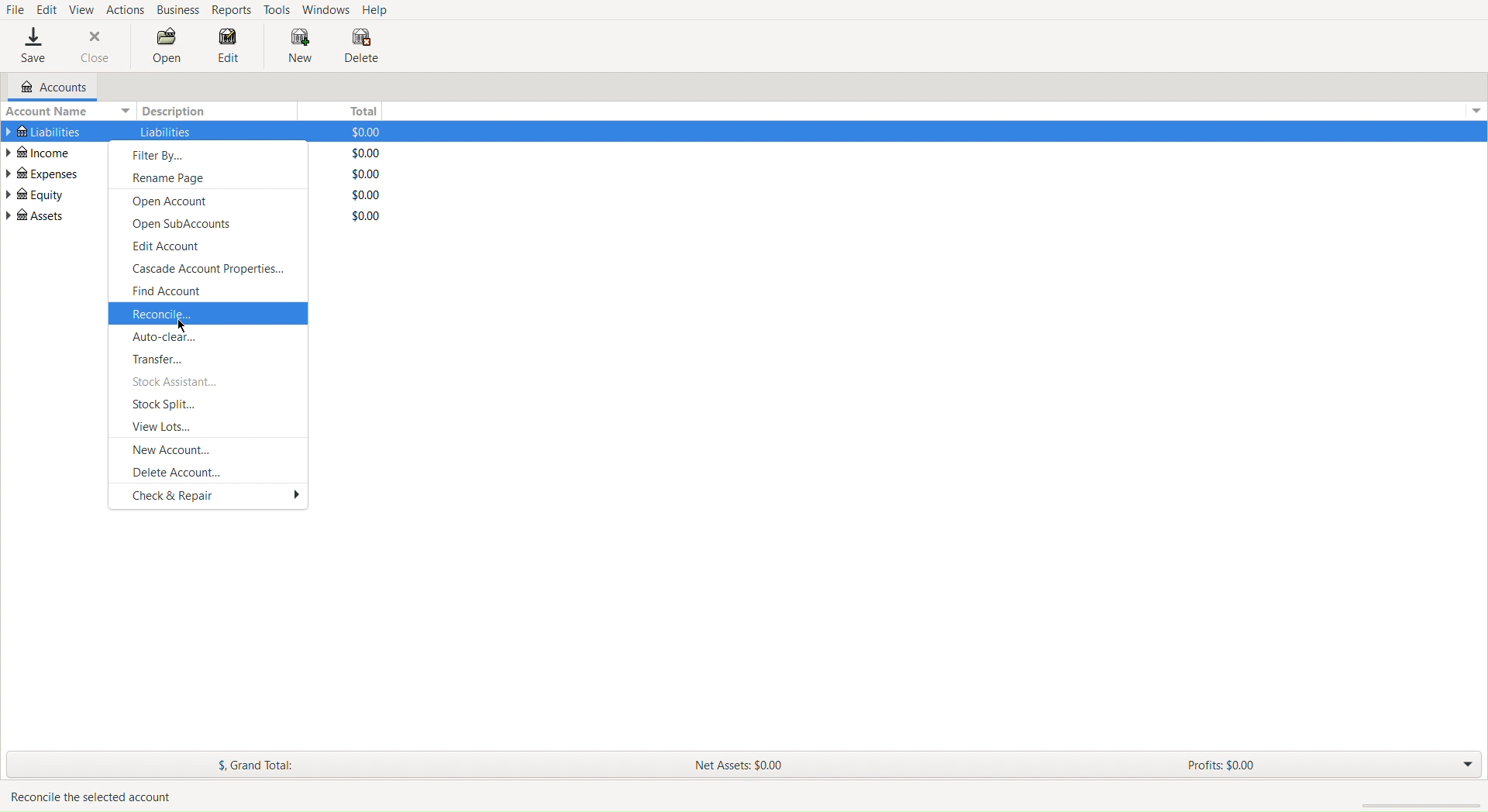 The height and width of the screenshot is (812, 1488). Describe the element at coordinates (126, 9) in the screenshot. I see `Actions` at that location.